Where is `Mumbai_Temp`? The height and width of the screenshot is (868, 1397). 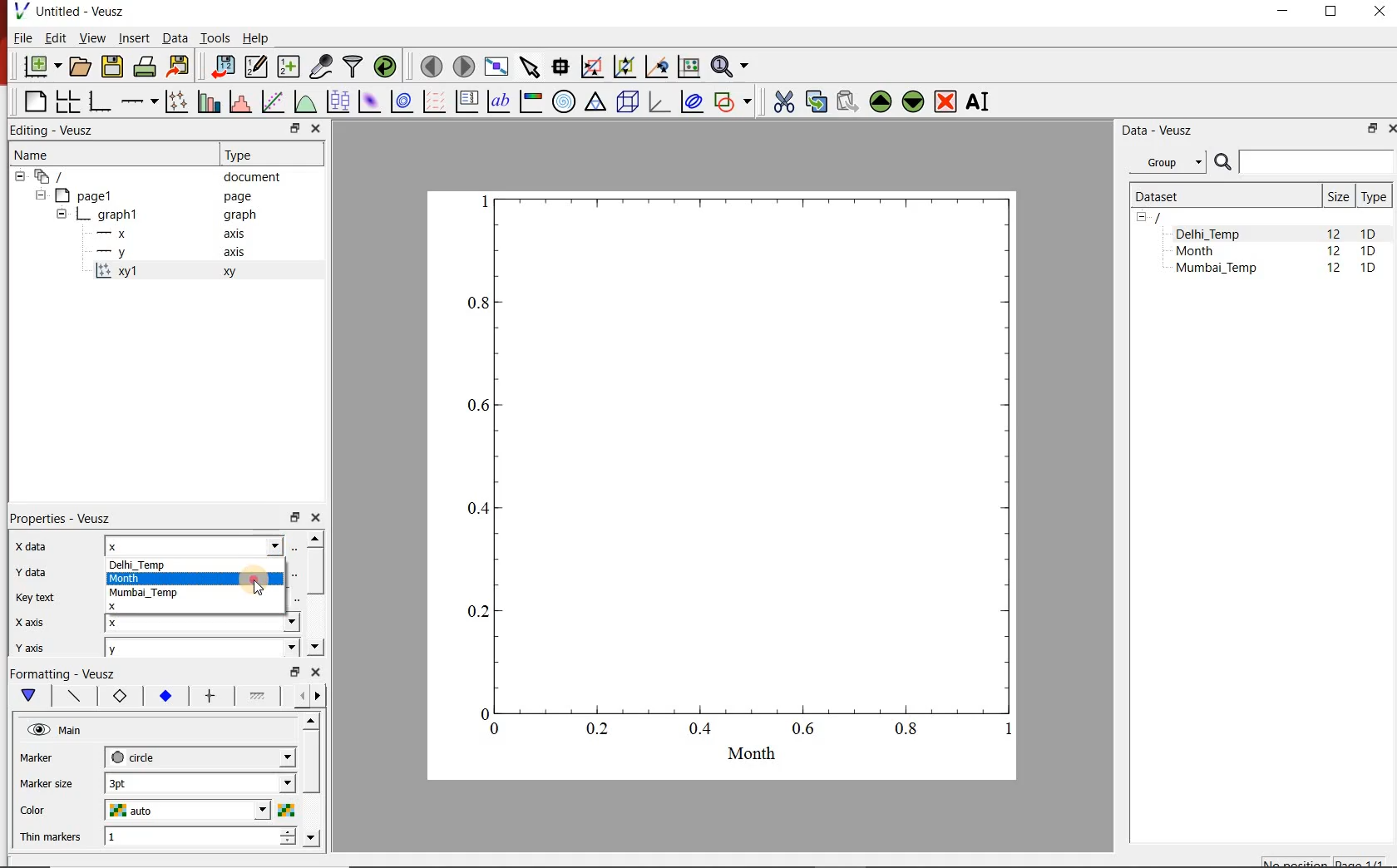 Mumbai_Temp is located at coordinates (1216, 269).